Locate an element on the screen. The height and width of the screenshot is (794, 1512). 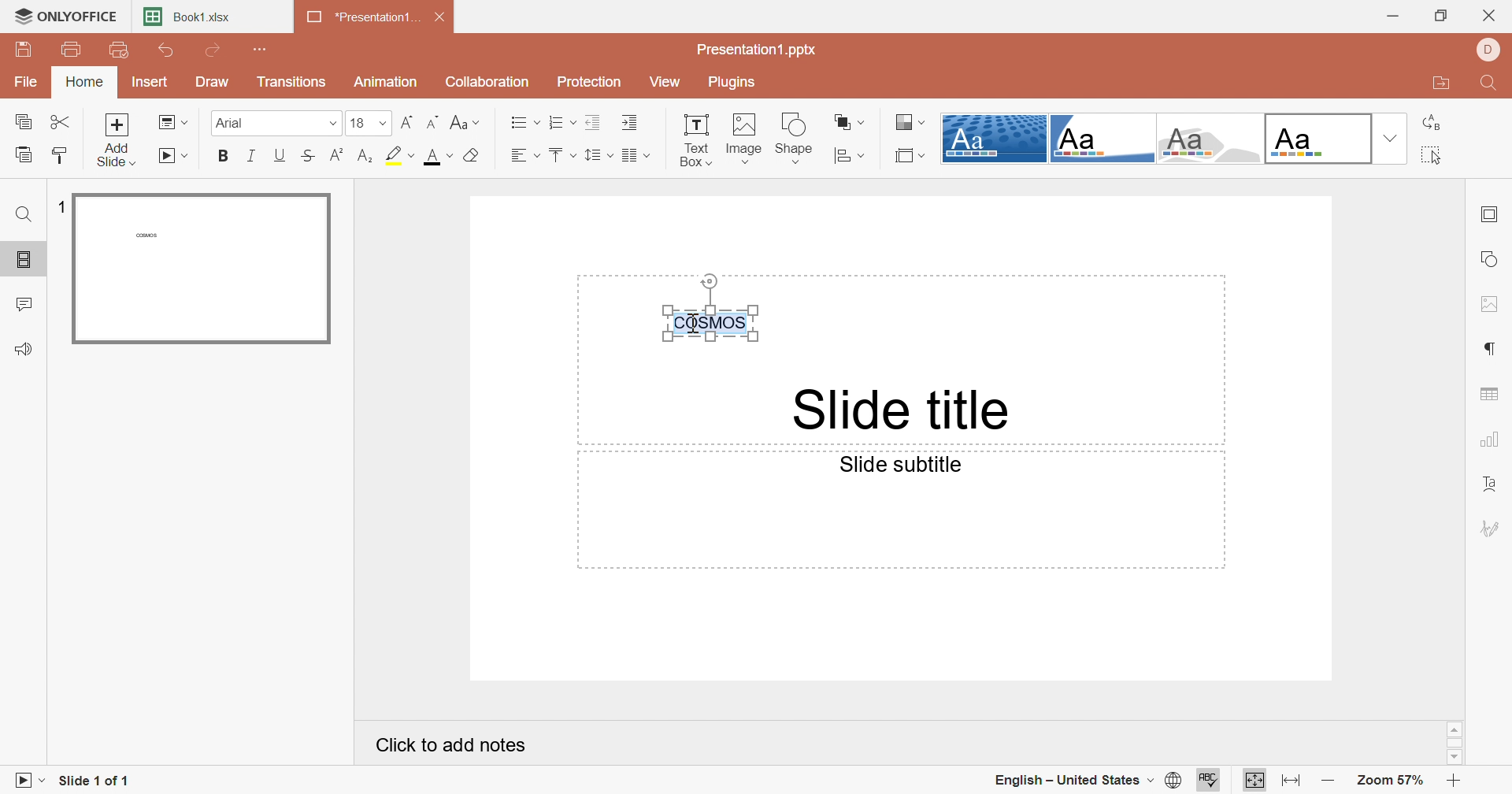
COSMOS is located at coordinates (708, 308).